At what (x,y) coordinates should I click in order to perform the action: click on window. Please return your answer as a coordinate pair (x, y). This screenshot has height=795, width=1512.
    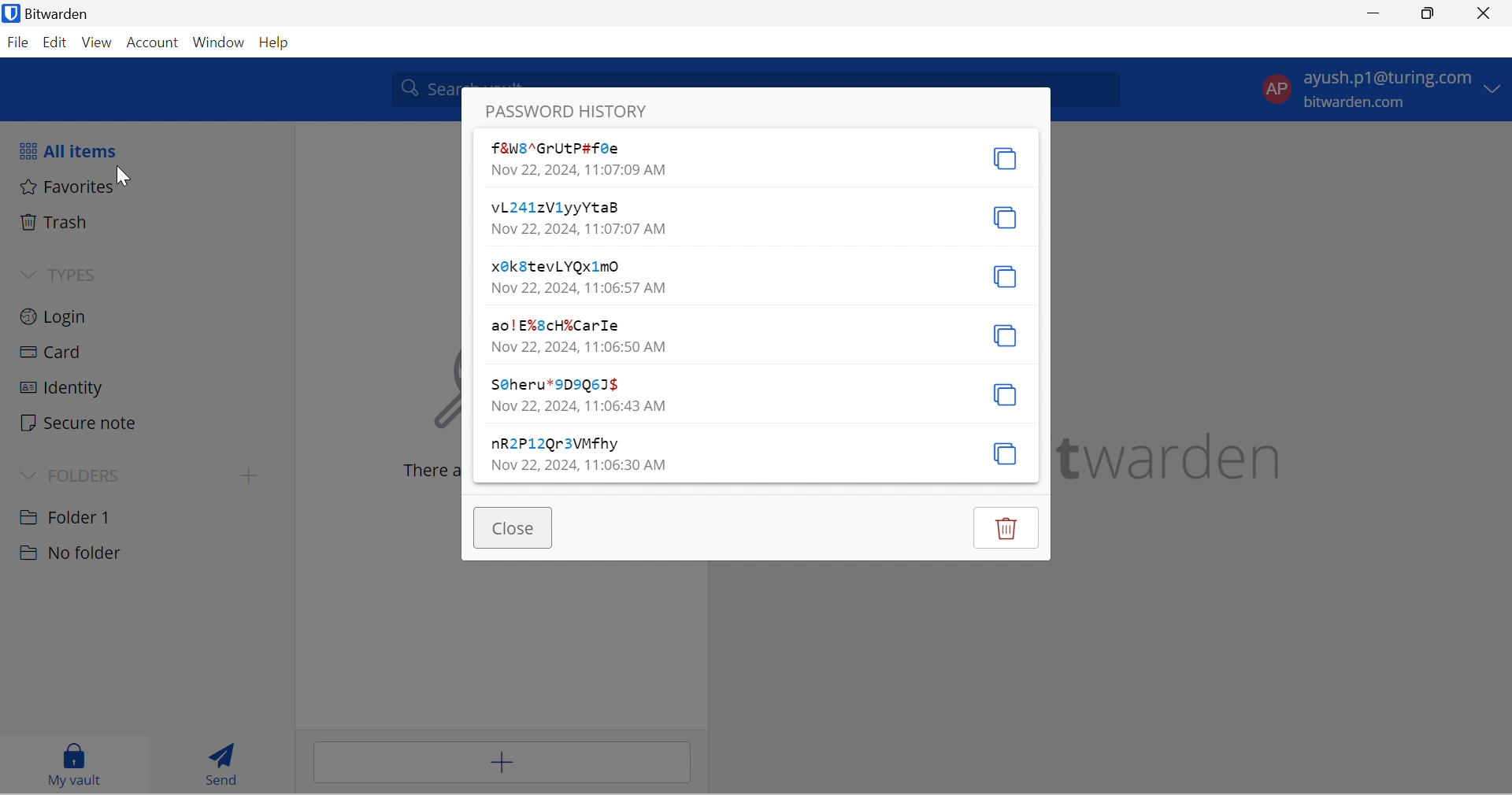
    Looking at the image, I should click on (220, 44).